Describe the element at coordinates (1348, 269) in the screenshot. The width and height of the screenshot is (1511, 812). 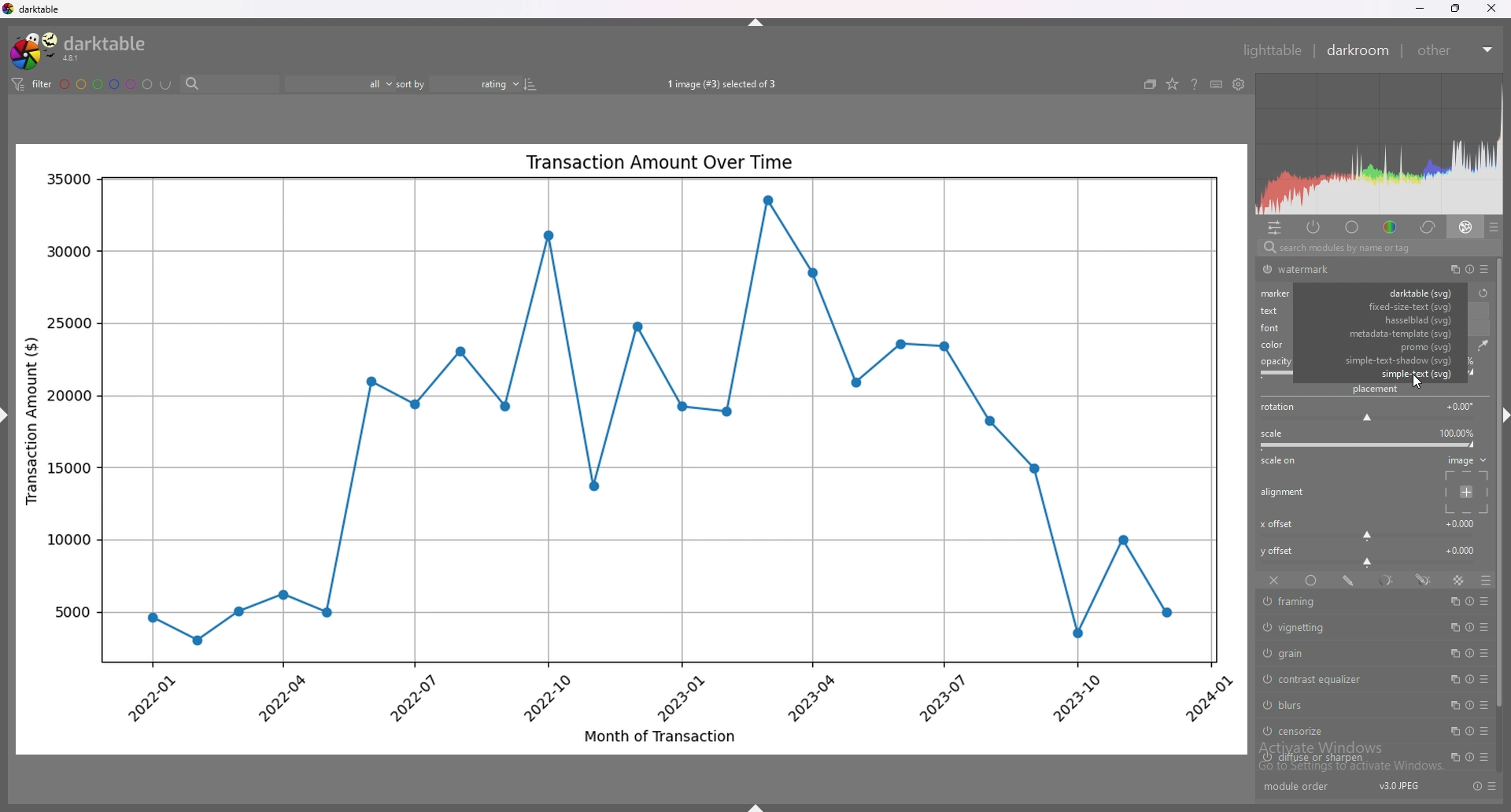
I see `watermark` at that location.